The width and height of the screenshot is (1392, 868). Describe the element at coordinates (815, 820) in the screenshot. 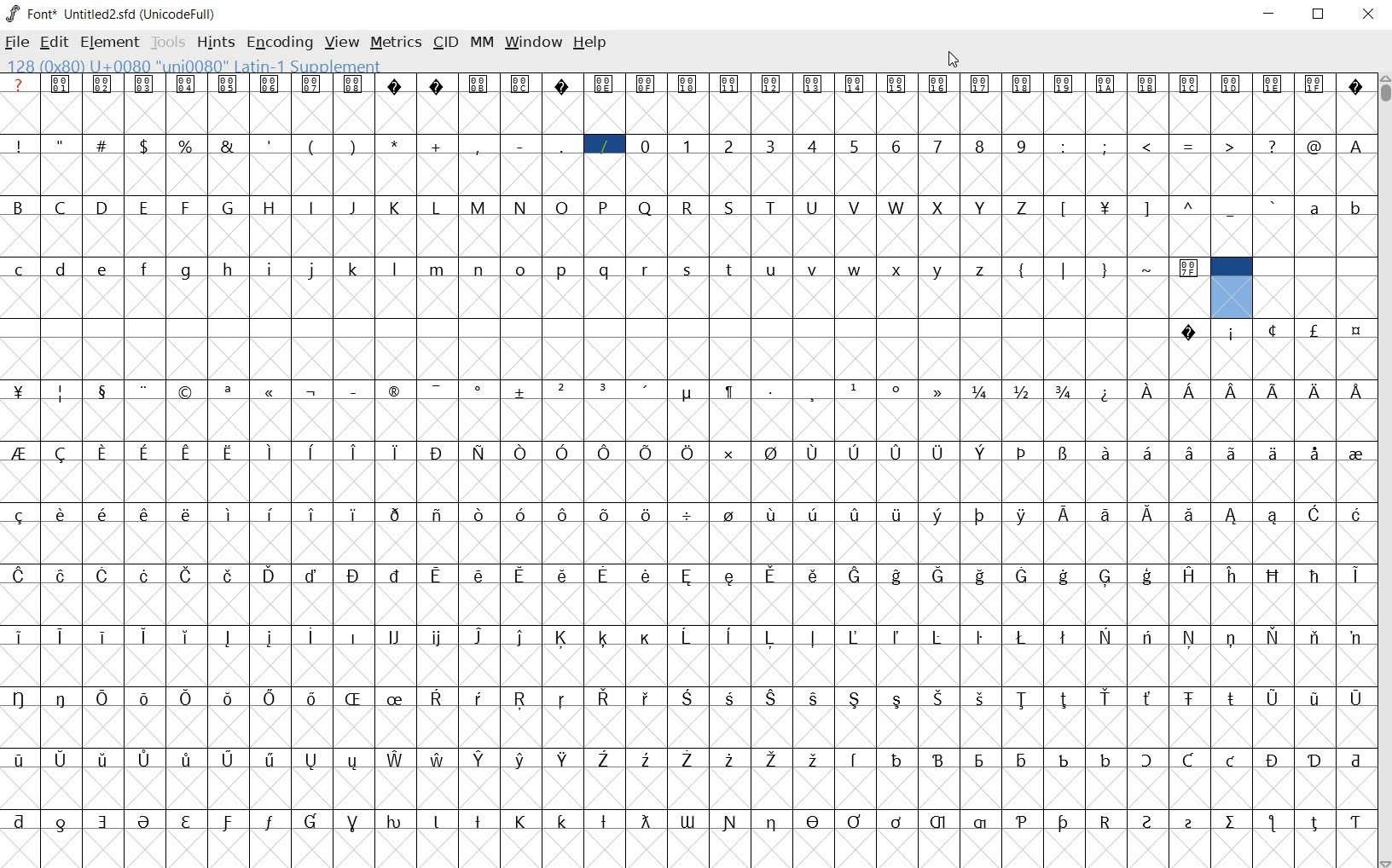

I see `Symbol` at that location.